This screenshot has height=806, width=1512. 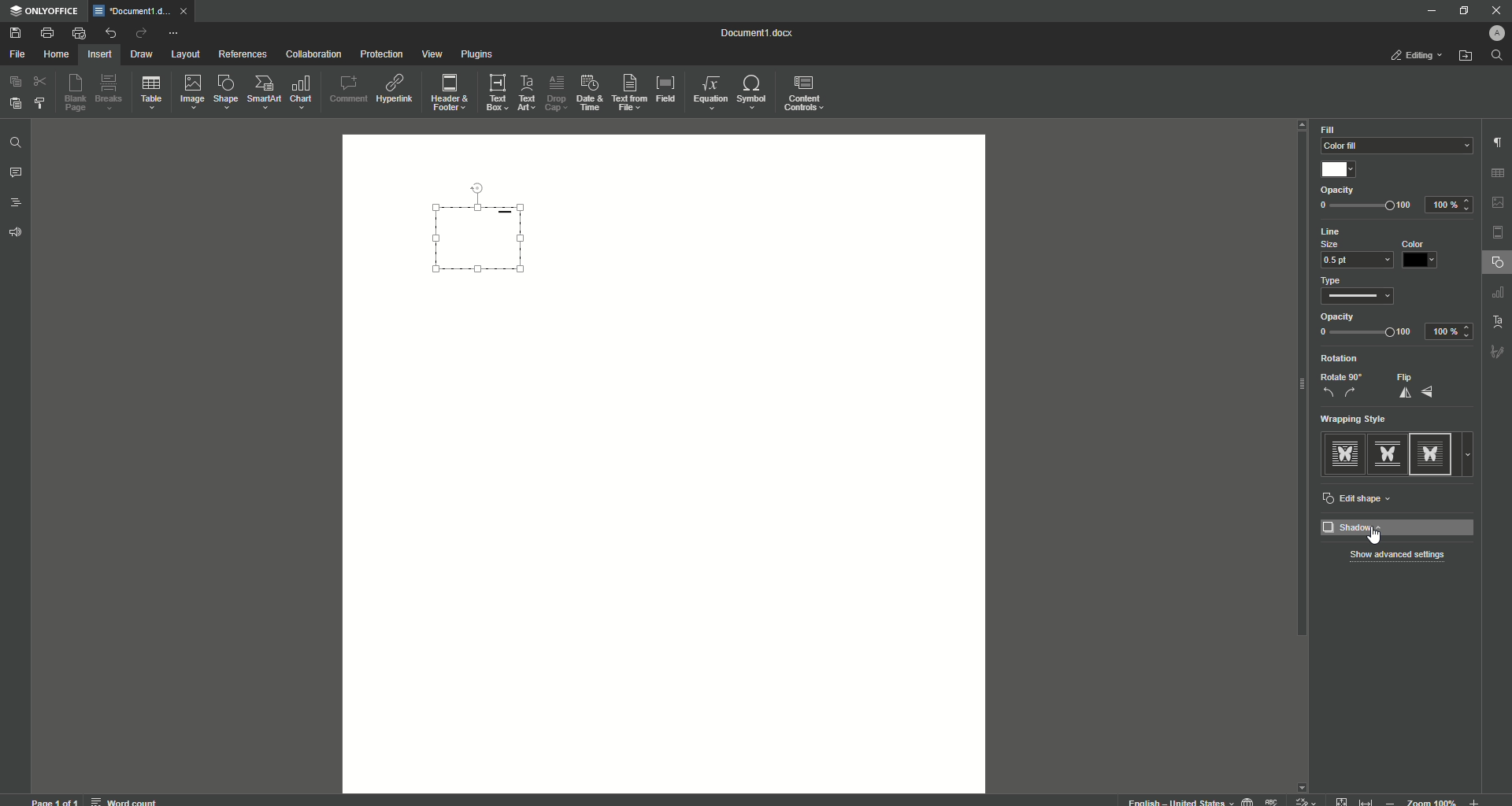 What do you see at coordinates (1362, 298) in the screenshot?
I see `choose type` at bounding box center [1362, 298].